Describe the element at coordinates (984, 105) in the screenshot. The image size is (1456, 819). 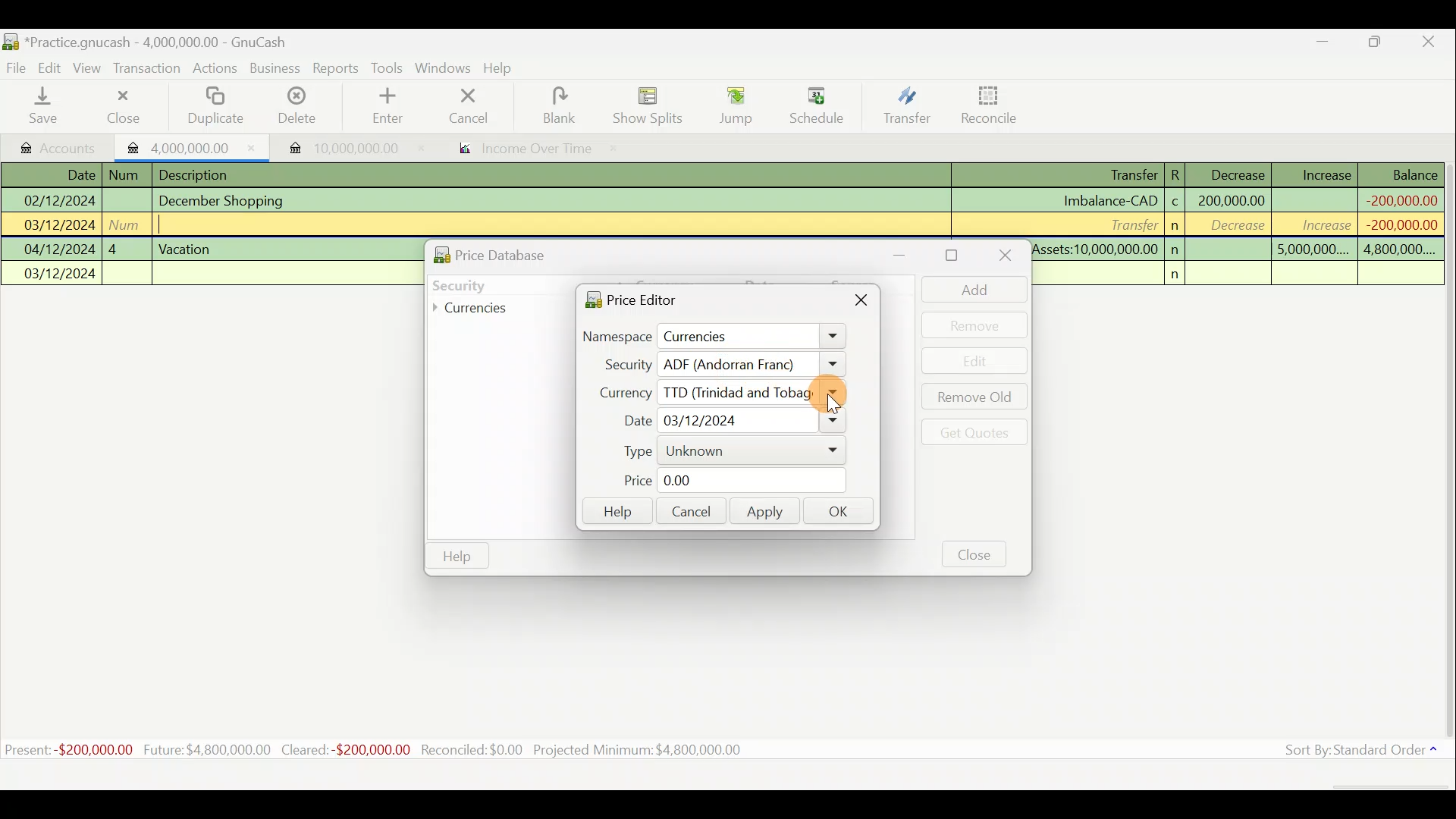
I see `Reconcile` at that location.